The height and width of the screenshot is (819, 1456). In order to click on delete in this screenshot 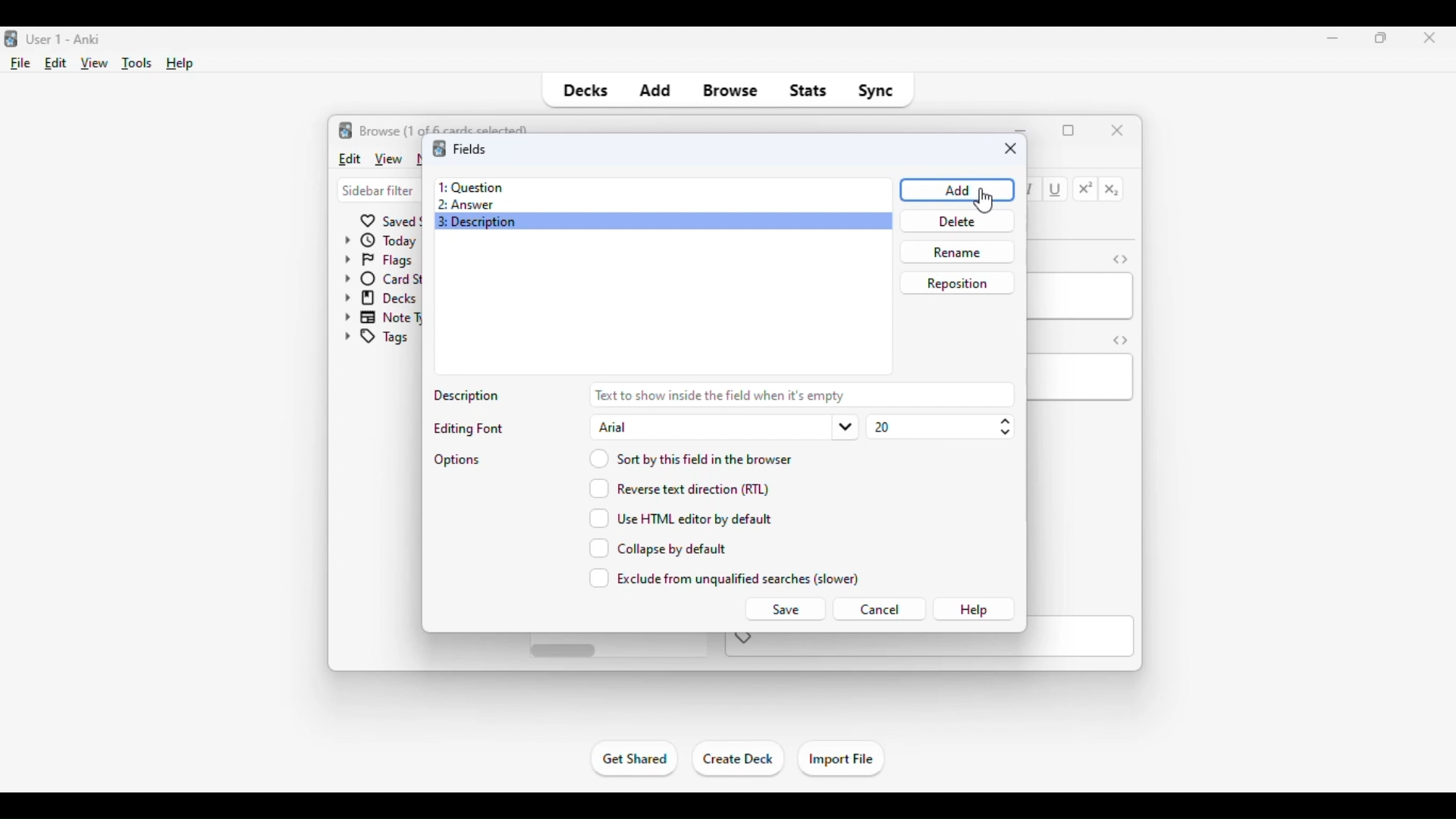, I will do `click(954, 221)`.